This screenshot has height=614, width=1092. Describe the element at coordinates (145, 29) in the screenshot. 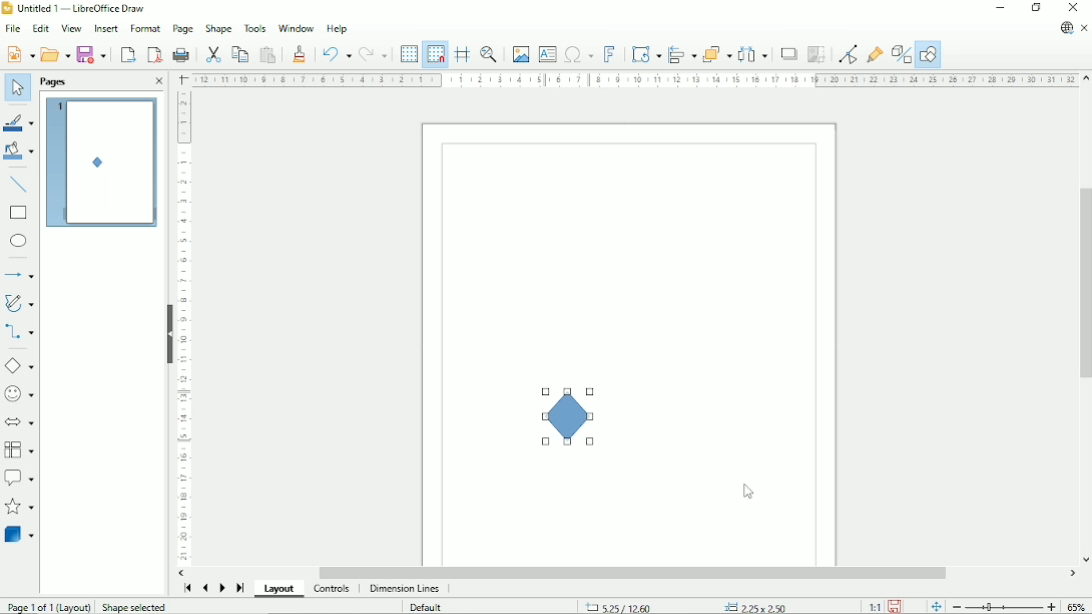

I see `Format` at that location.